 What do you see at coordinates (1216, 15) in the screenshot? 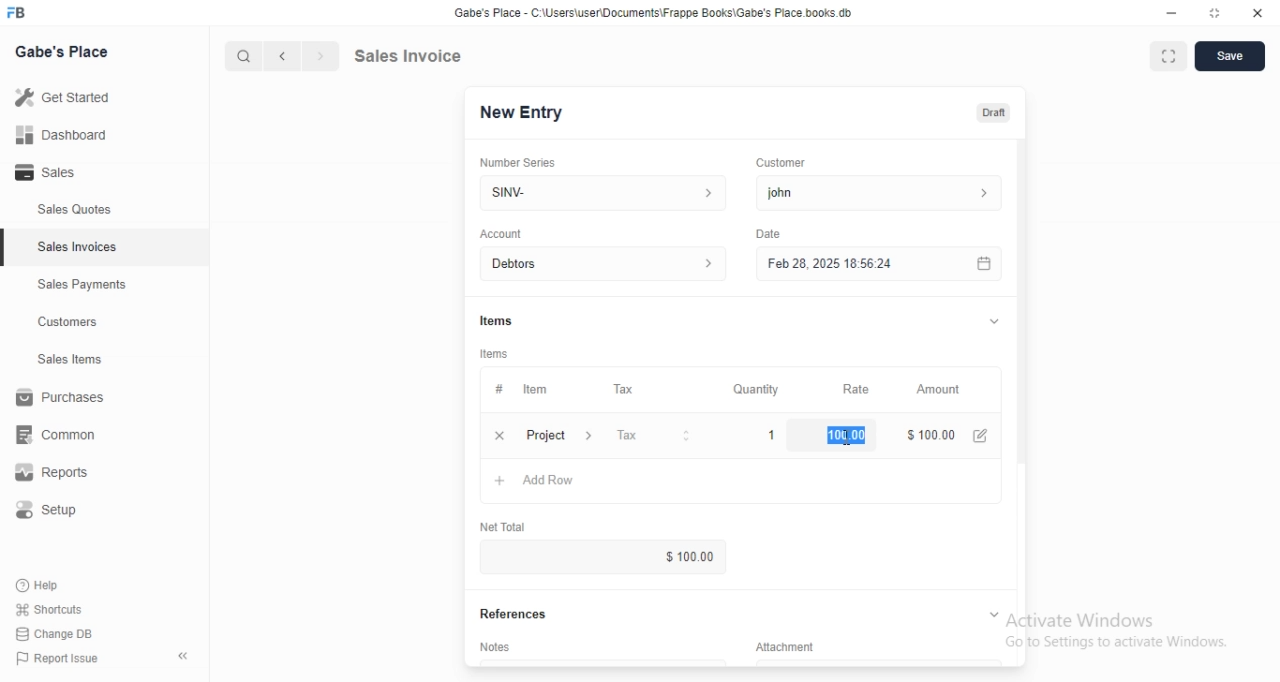
I see `maximize` at bounding box center [1216, 15].